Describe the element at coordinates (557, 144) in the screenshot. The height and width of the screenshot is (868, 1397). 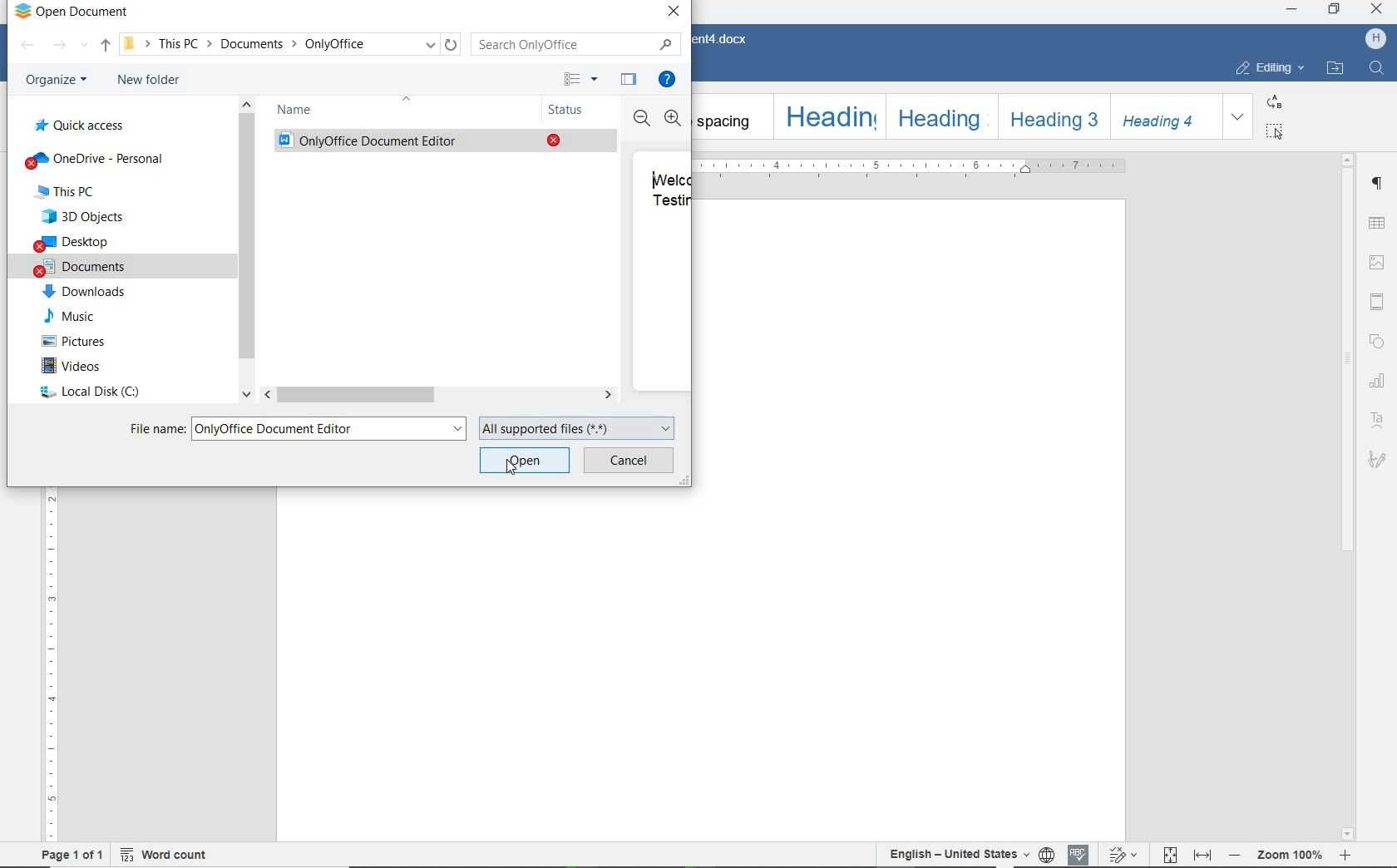
I see `Close` at that location.